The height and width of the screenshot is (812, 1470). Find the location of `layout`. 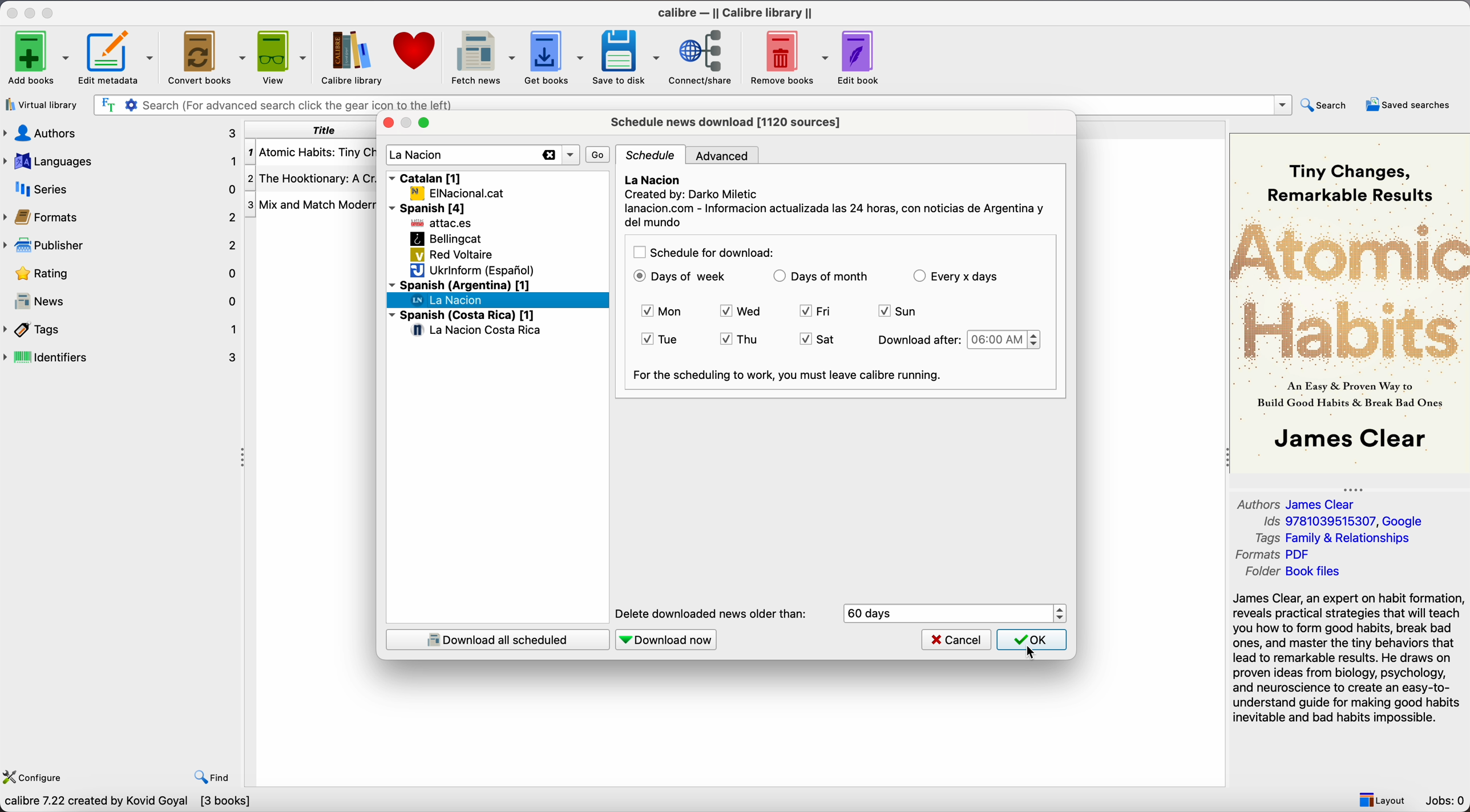

layout is located at coordinates (1381, 798).